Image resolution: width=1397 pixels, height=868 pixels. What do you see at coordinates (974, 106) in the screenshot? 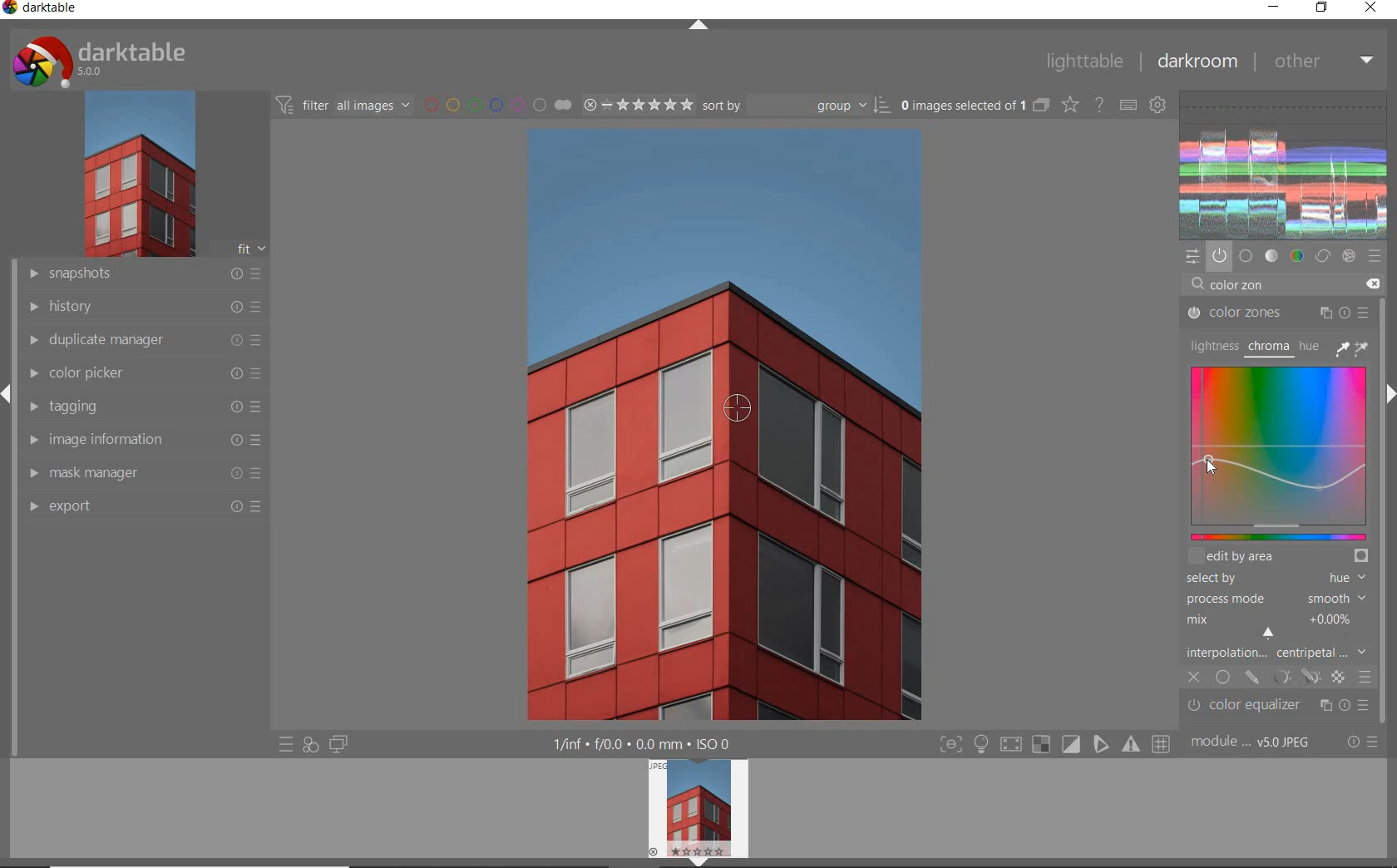
I see `selected images` at bounding box center [974, 106].